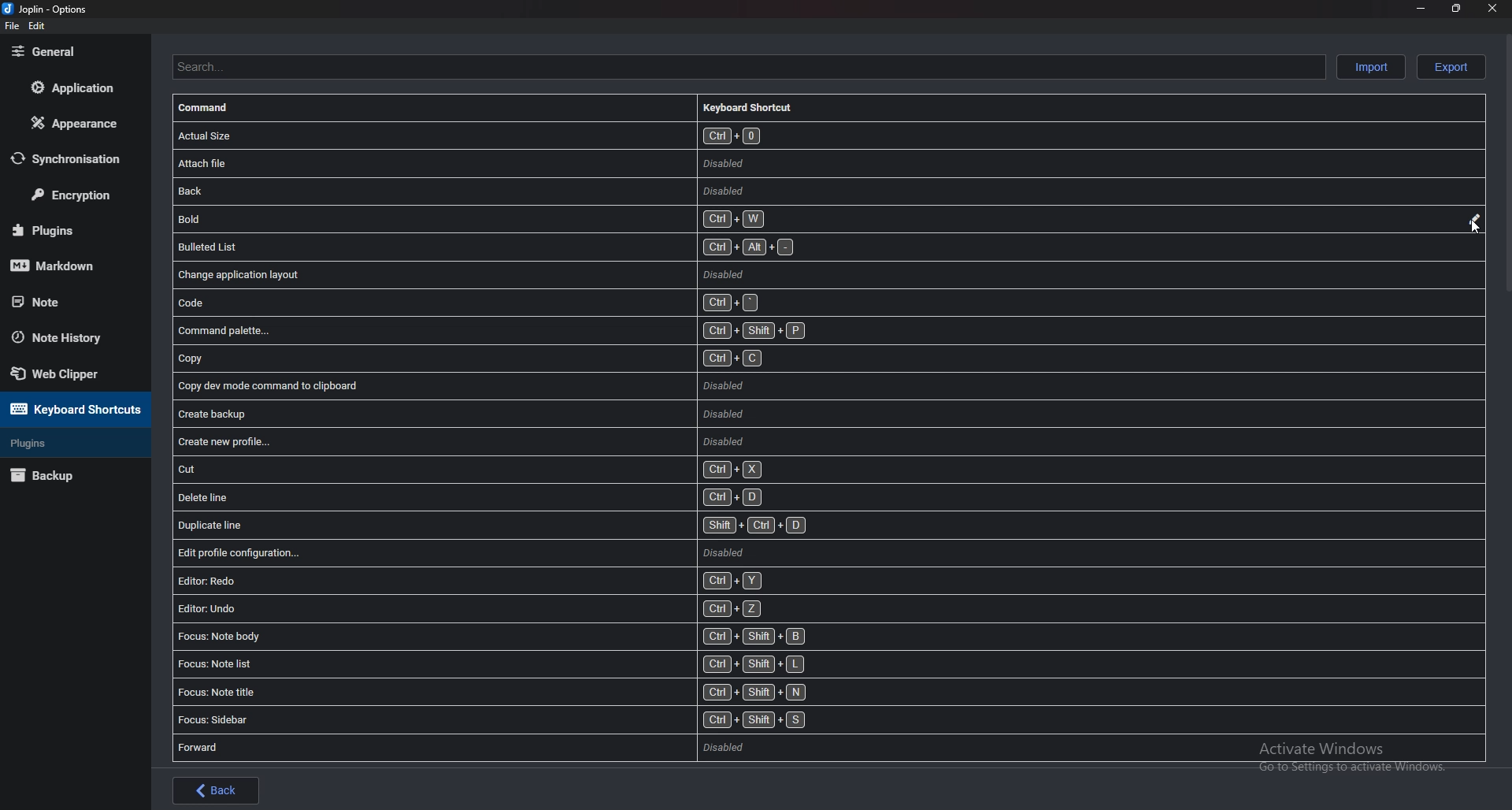 This screenshot has width=1512, height=810. What do you see at coordinates (526, 385) in the screenshot?
I see `Copy dev mode command to clipboard` at bounding box center [526, 385].